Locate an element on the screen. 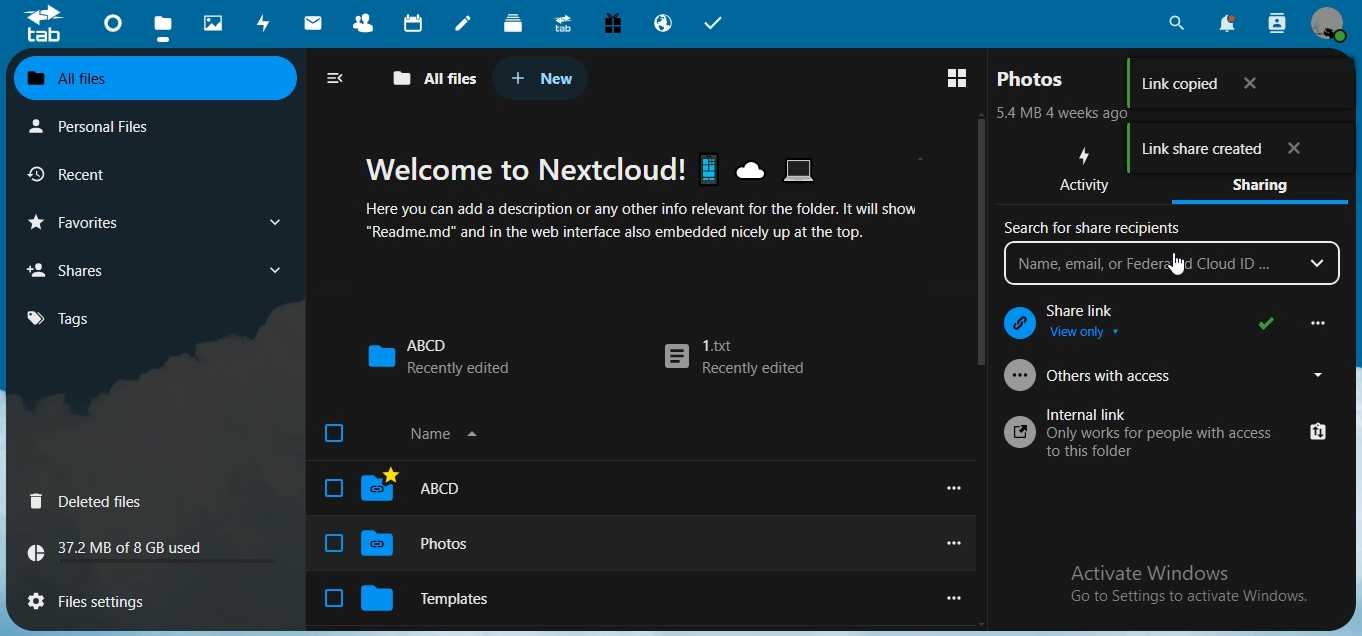 This screenshot has height=636, width=1362. text is located at coordinates (1068, 115).